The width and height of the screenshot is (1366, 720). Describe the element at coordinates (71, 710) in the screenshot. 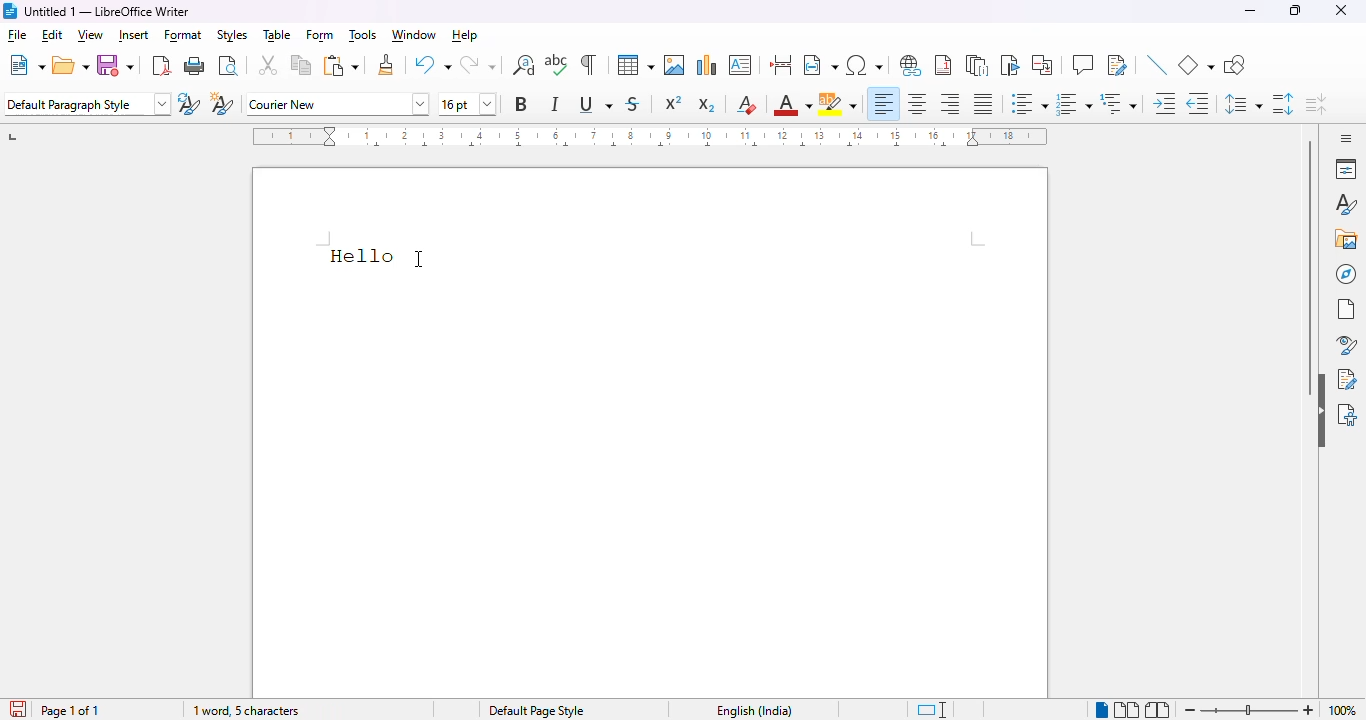

I see `page of 1 of 1` at that location.